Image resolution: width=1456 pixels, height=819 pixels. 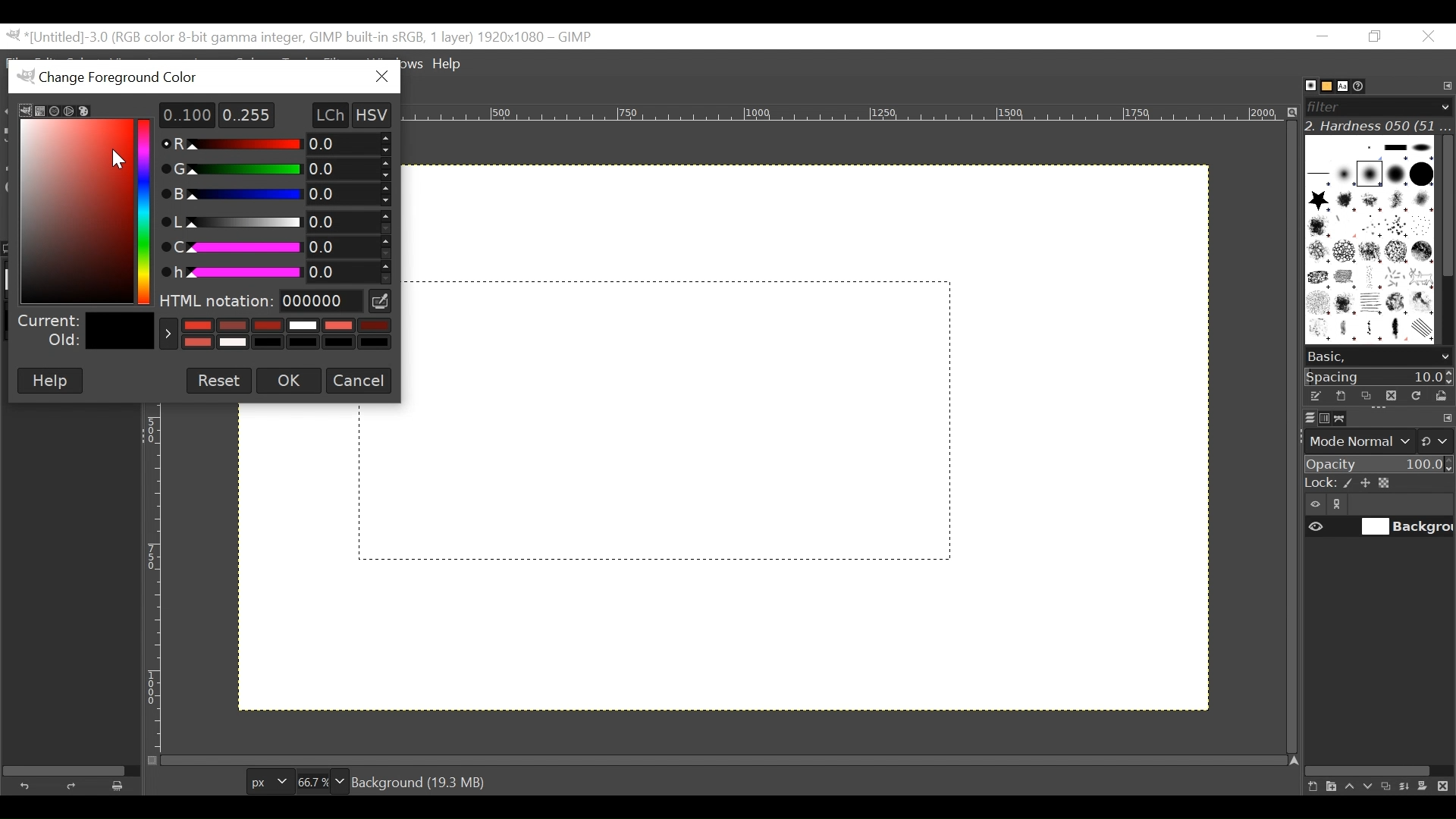 What do you see at coordinates (1378, 37) in the screenshot?
I see `Restore` at bounding box center [1378, 37].